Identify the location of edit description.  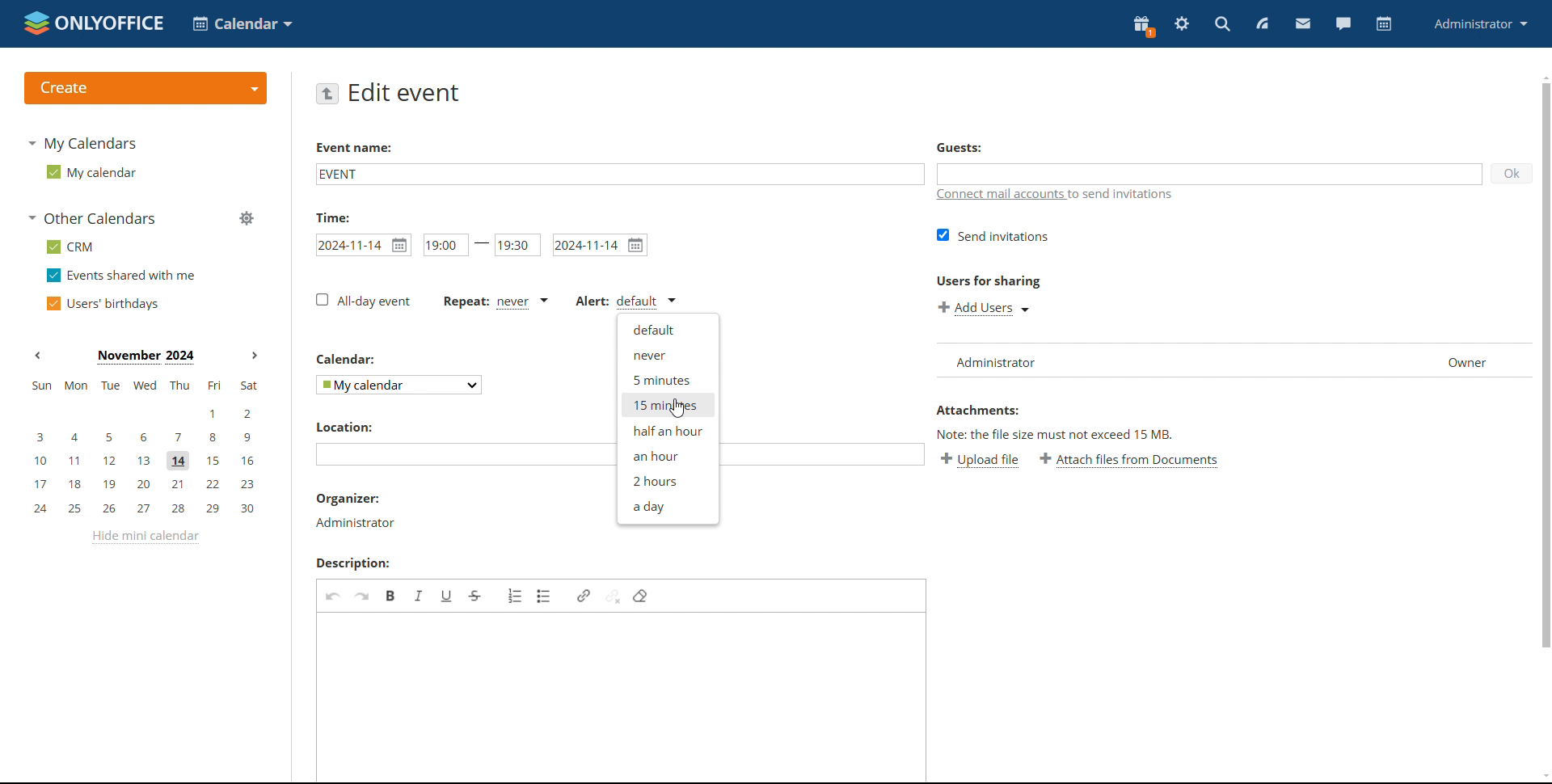
(622, 697).